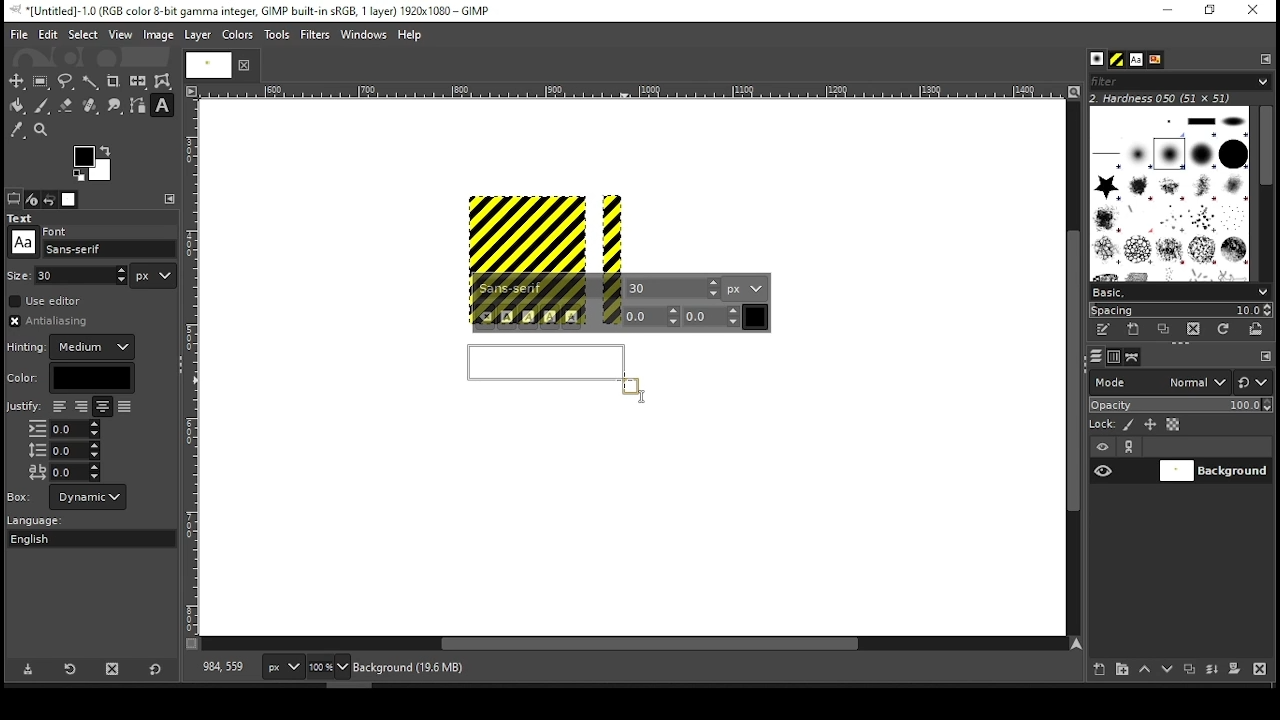  I want to click on , so click(205, 64).